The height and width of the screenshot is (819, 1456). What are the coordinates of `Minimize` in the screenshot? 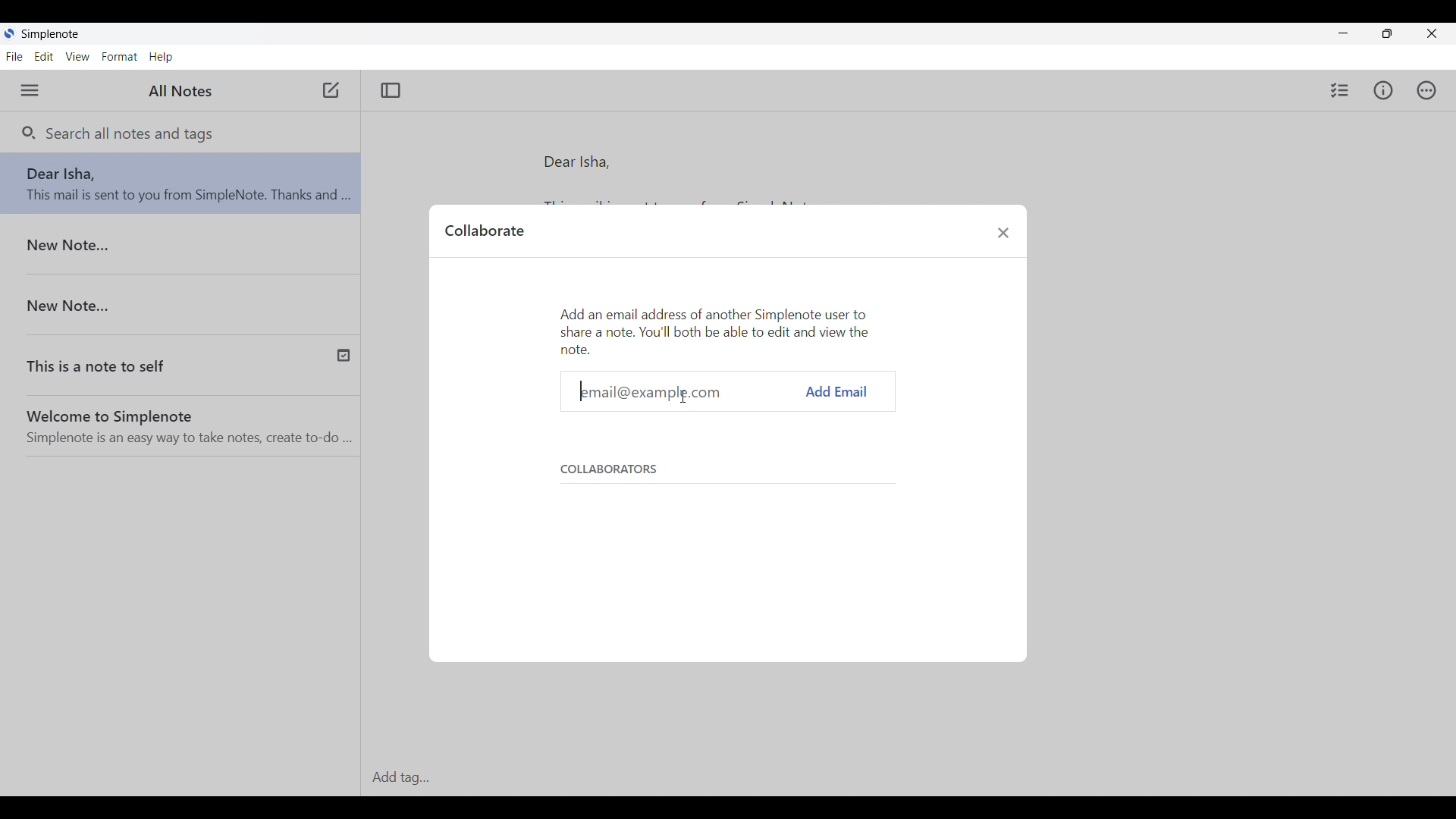 It's located at (1344, 30).